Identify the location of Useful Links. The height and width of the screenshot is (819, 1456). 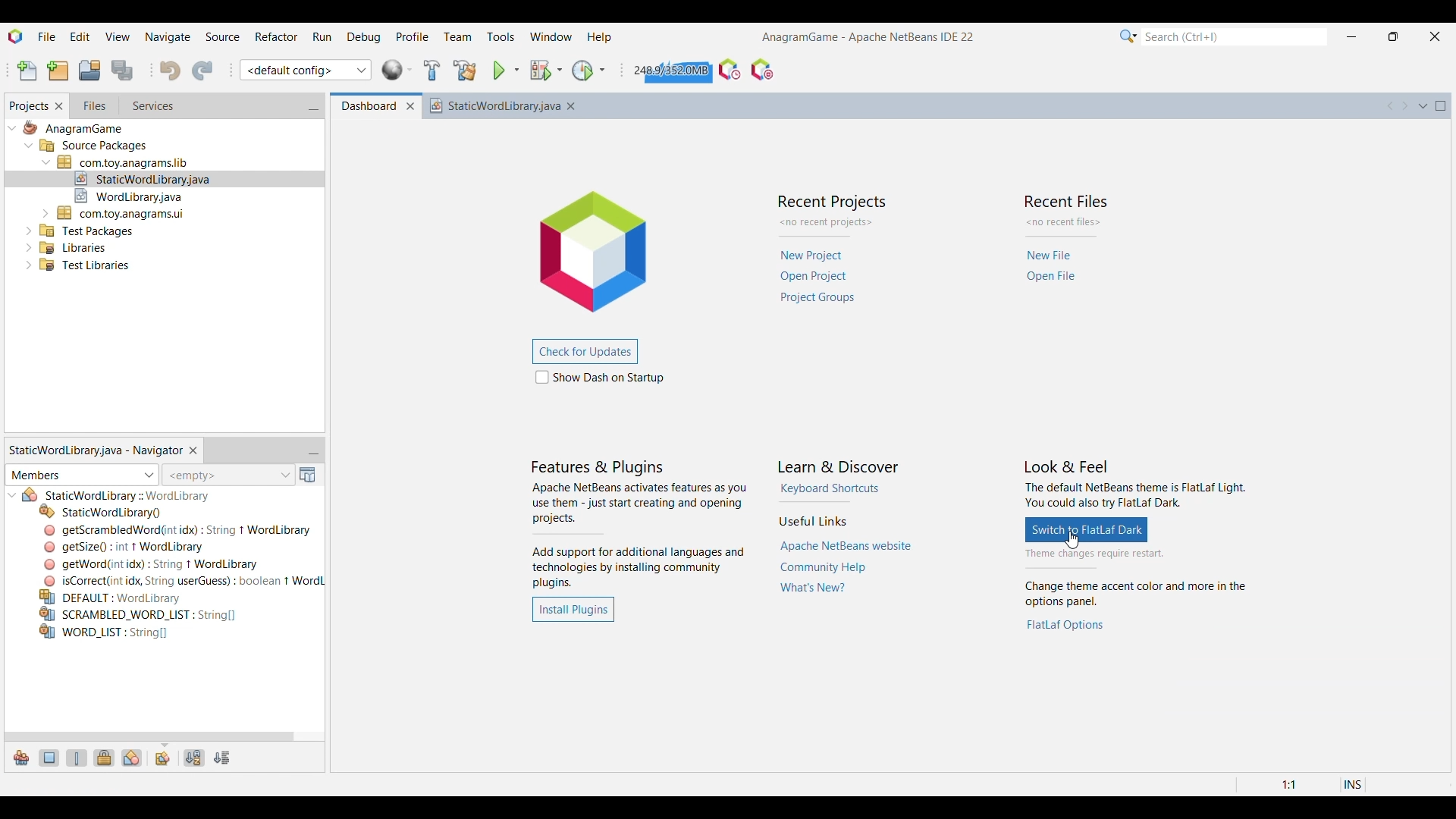
(812, 521).